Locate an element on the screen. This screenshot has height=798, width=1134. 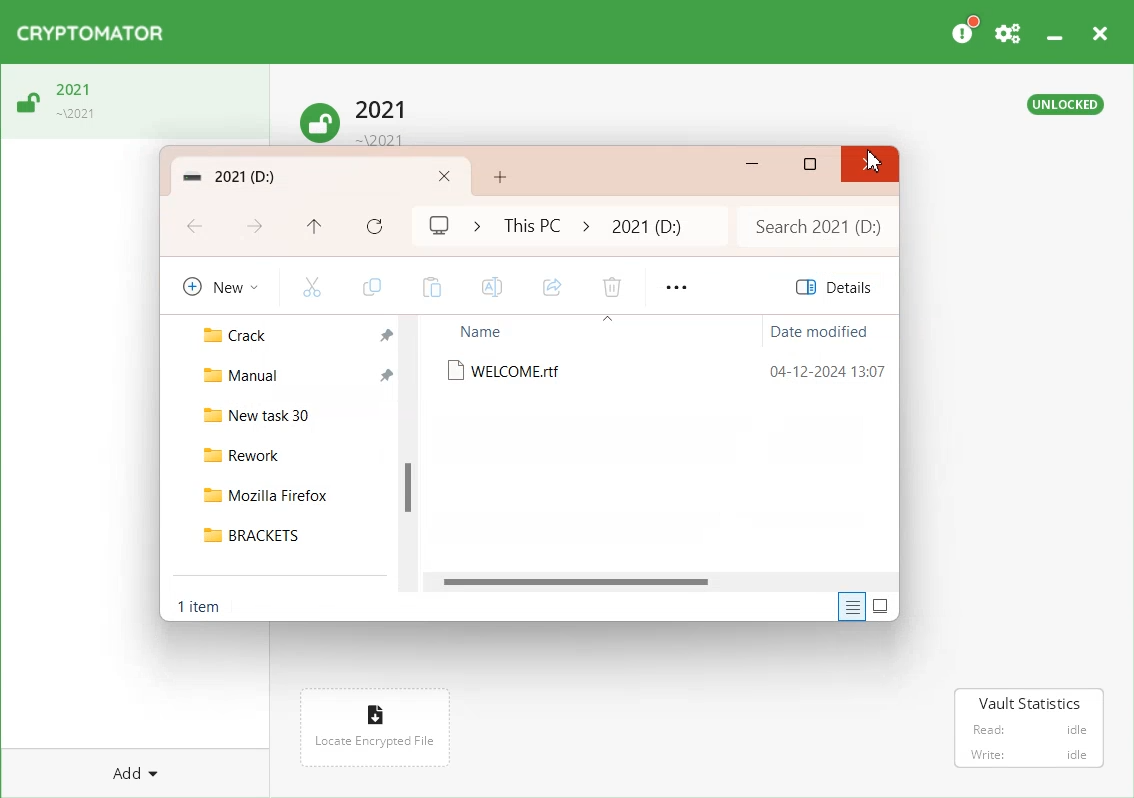
Share is located at coordinates (553, 286).